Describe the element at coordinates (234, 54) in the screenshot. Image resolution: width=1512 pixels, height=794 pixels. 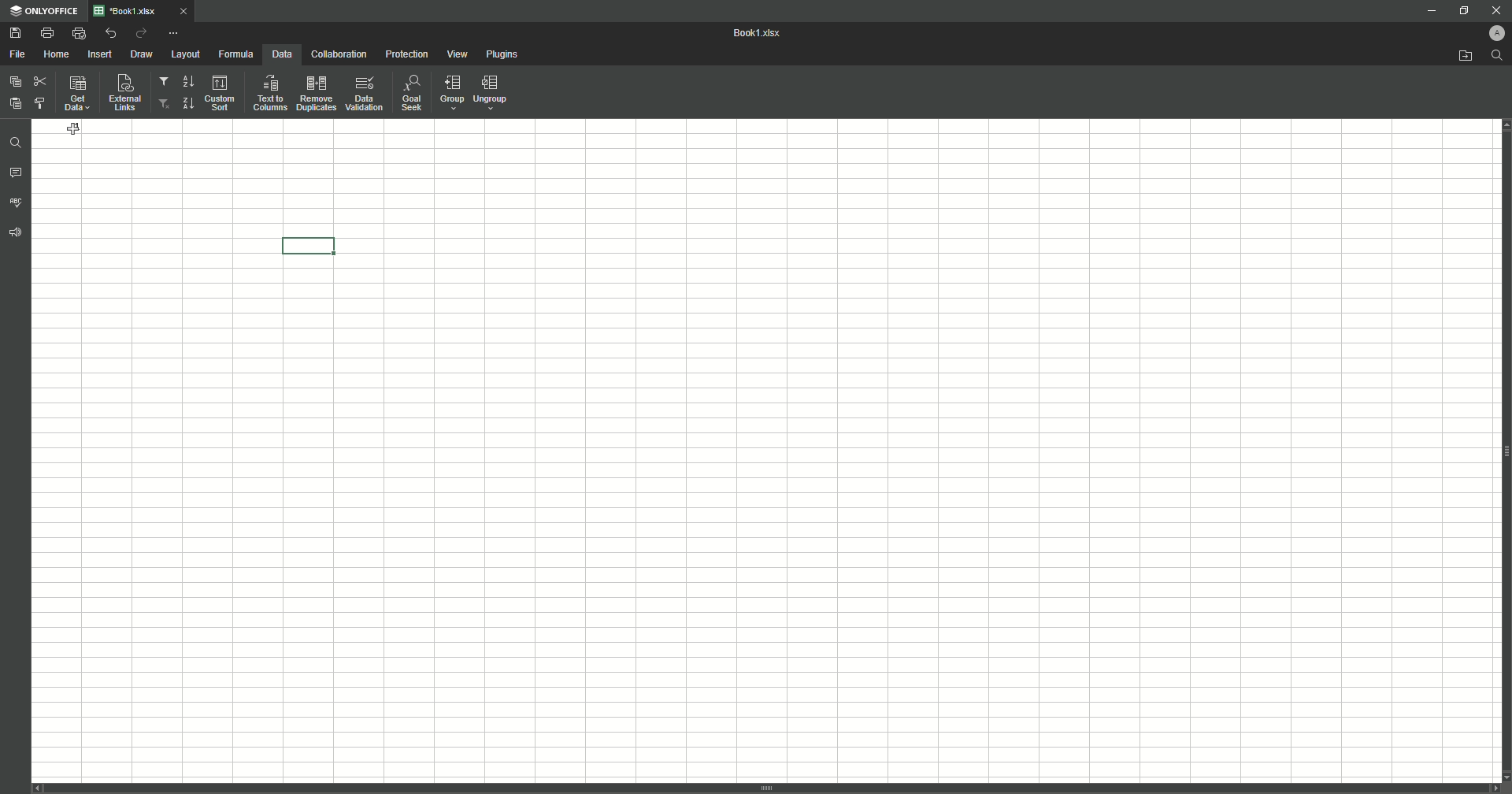
I see `Formula` at that location.